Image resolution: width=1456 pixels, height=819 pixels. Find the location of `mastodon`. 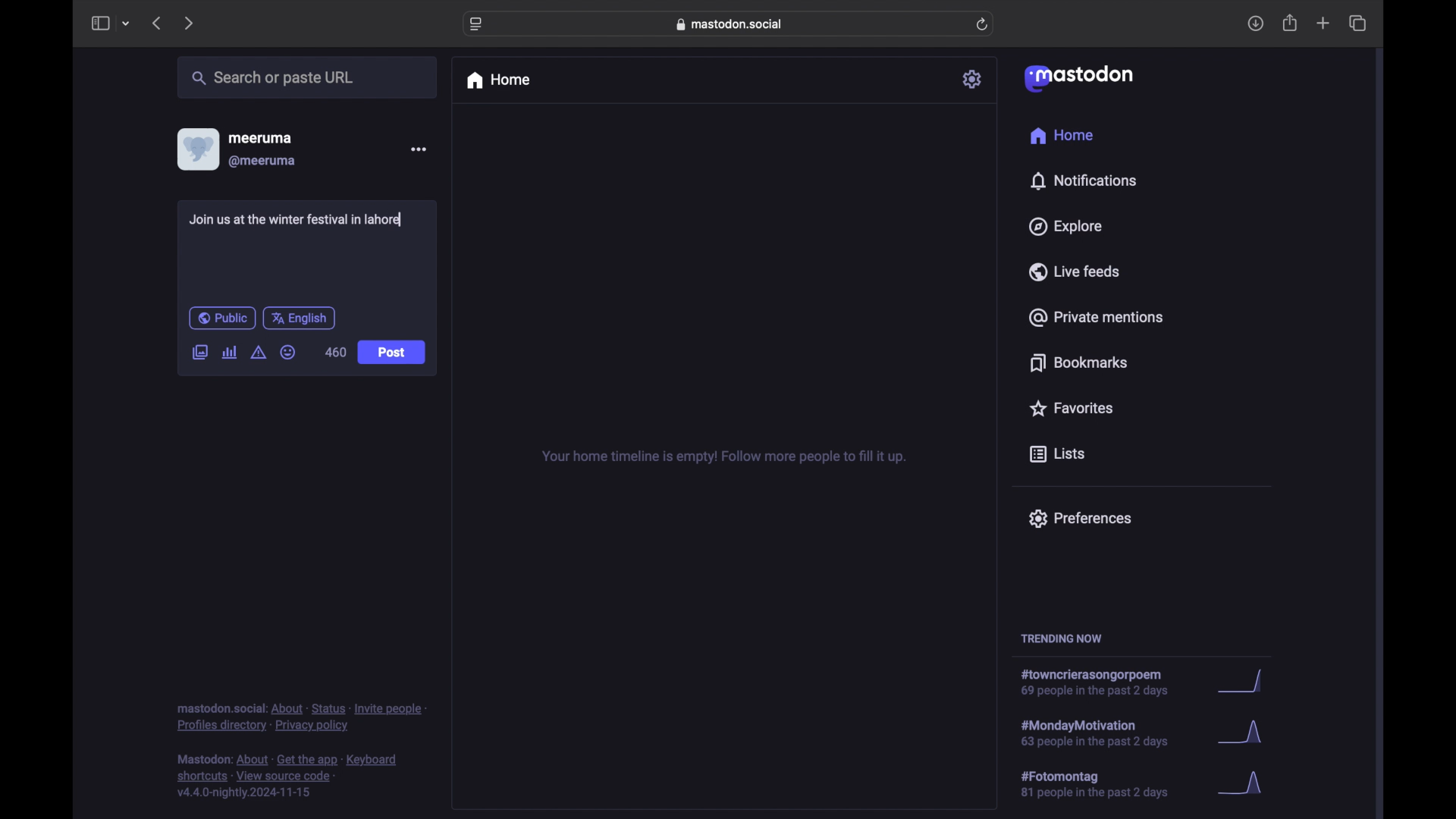

mastodon is located at coordinates (1077, 77).